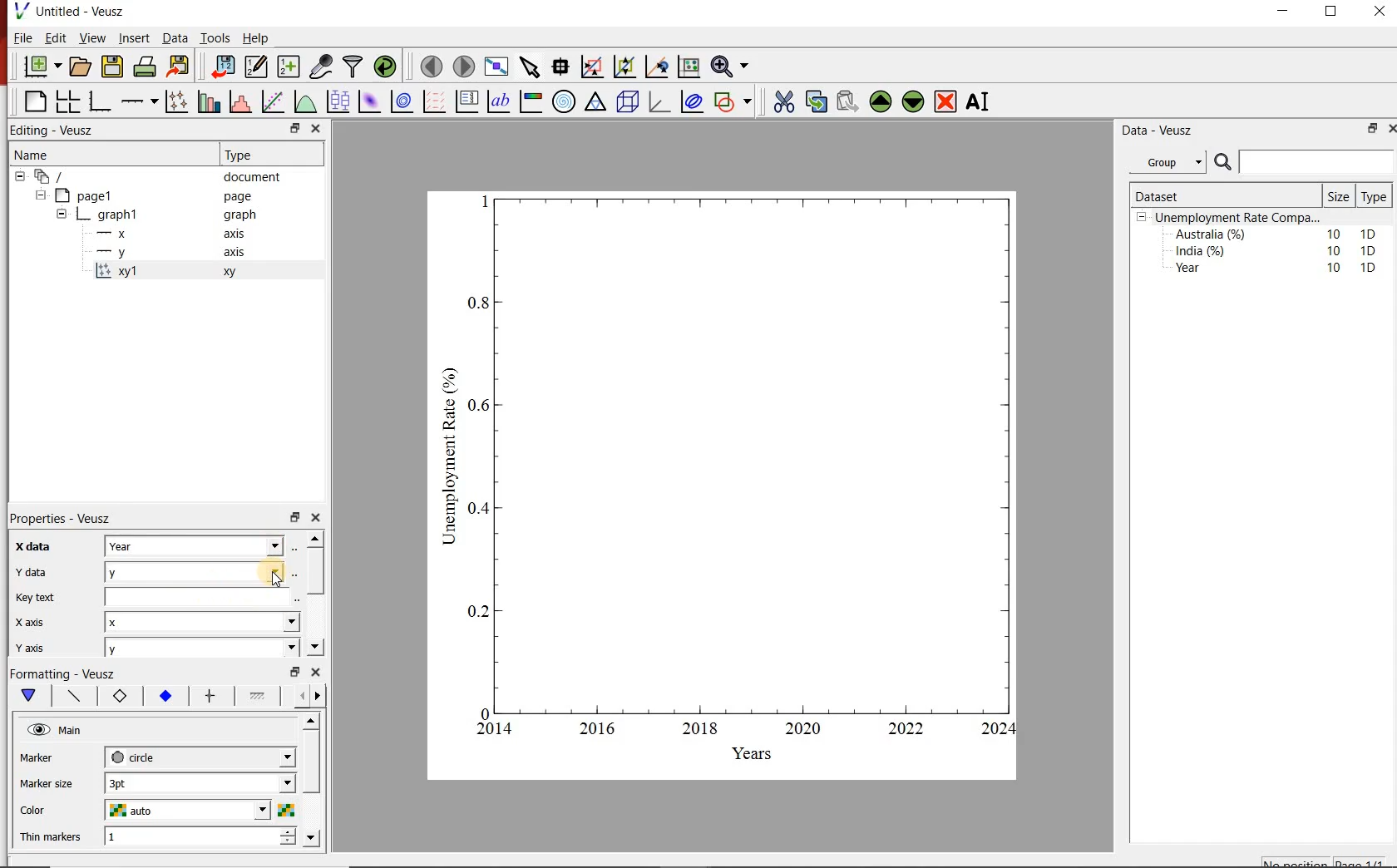  What do you see at coordinates (290, 831) in the screenshot?
I see `increase` at bounding box center [290, 831].